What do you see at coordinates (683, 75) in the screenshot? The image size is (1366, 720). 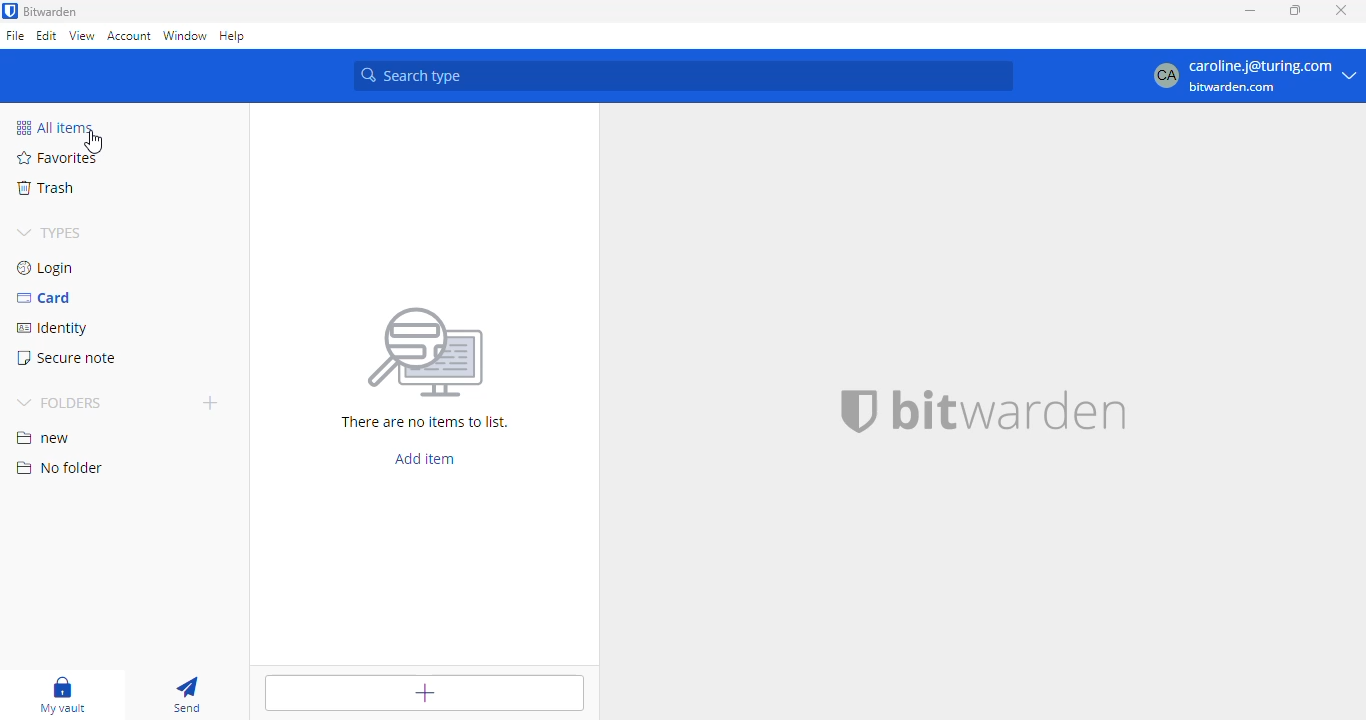 I see `search type` at bounding box center [683, 75].